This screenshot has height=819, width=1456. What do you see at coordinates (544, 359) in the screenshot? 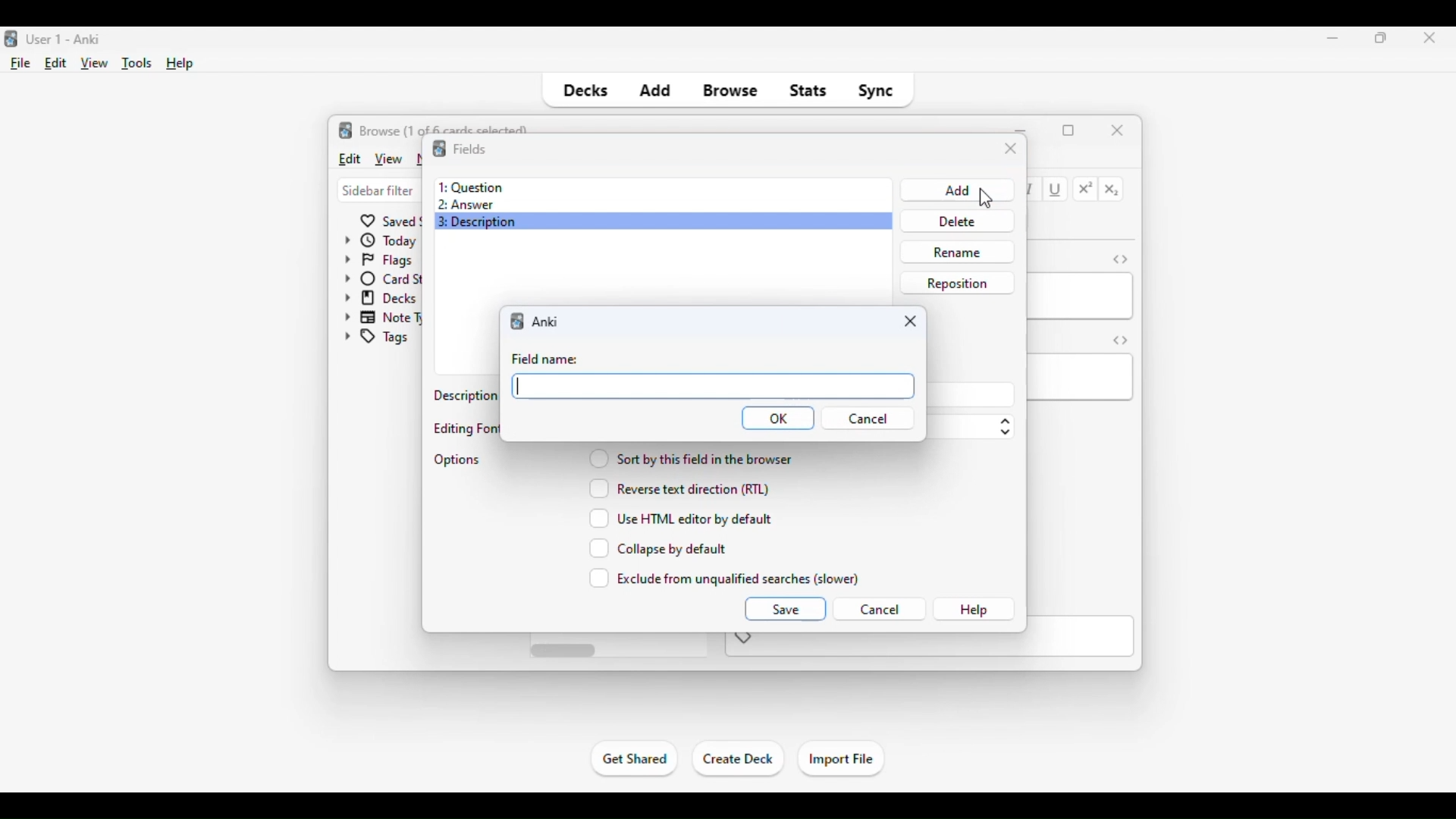
I see `field name` at bounding box center [544, 359].